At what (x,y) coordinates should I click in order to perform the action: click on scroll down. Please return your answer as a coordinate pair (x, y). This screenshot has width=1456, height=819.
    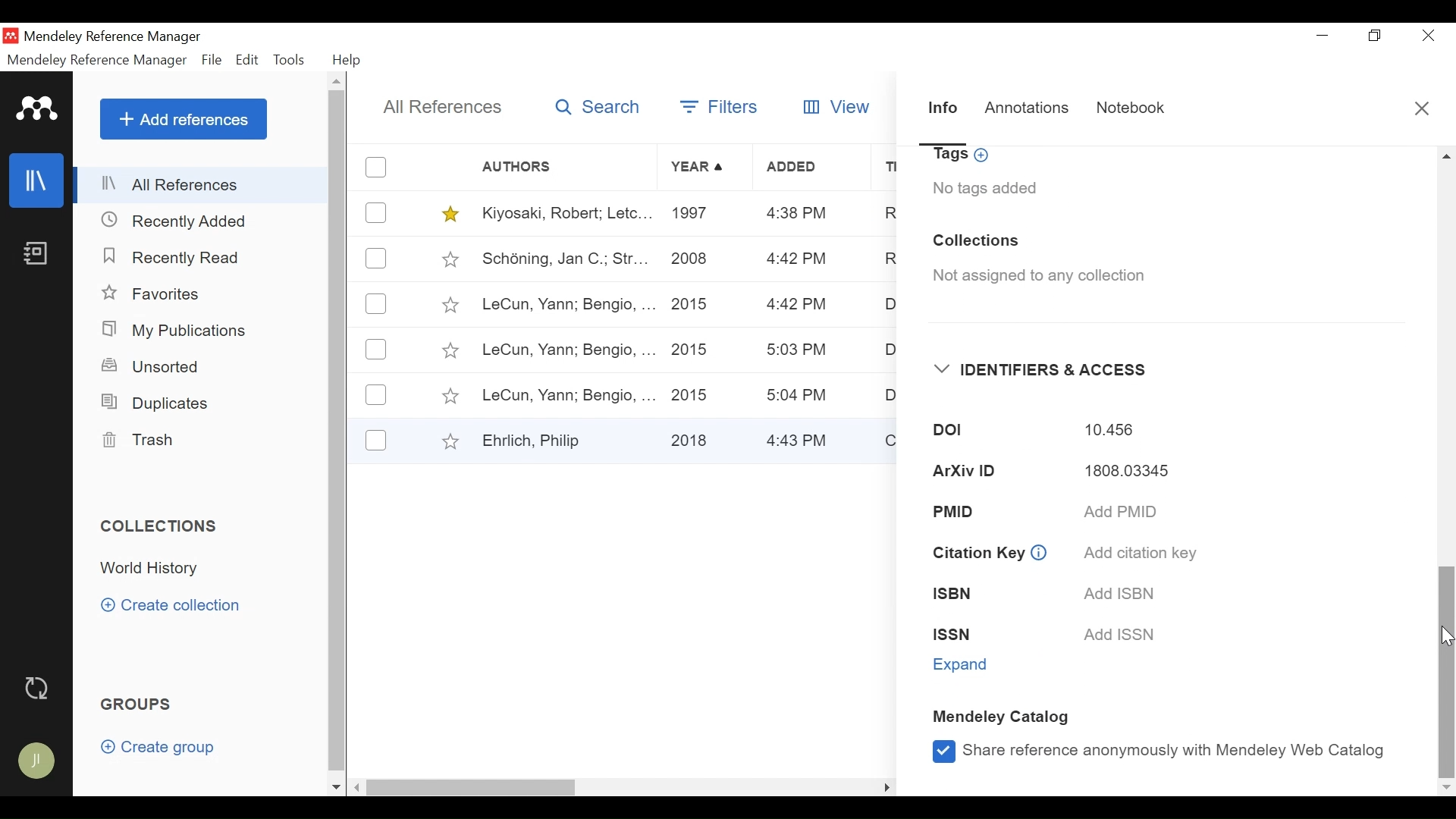
    Looking at the image, I should click on (1447, 789).